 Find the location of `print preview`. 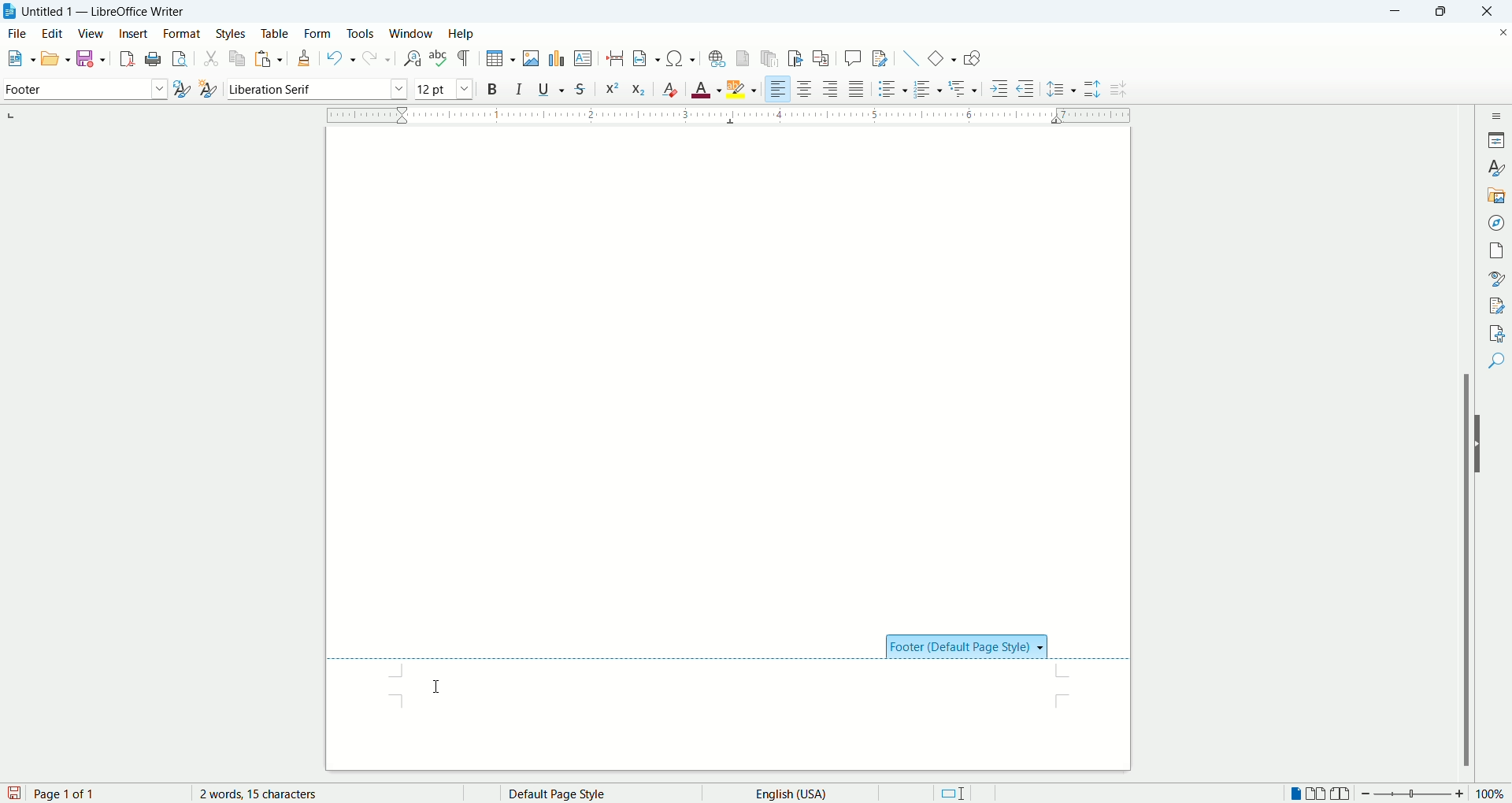

print preview is located at coordinates (180, 60).